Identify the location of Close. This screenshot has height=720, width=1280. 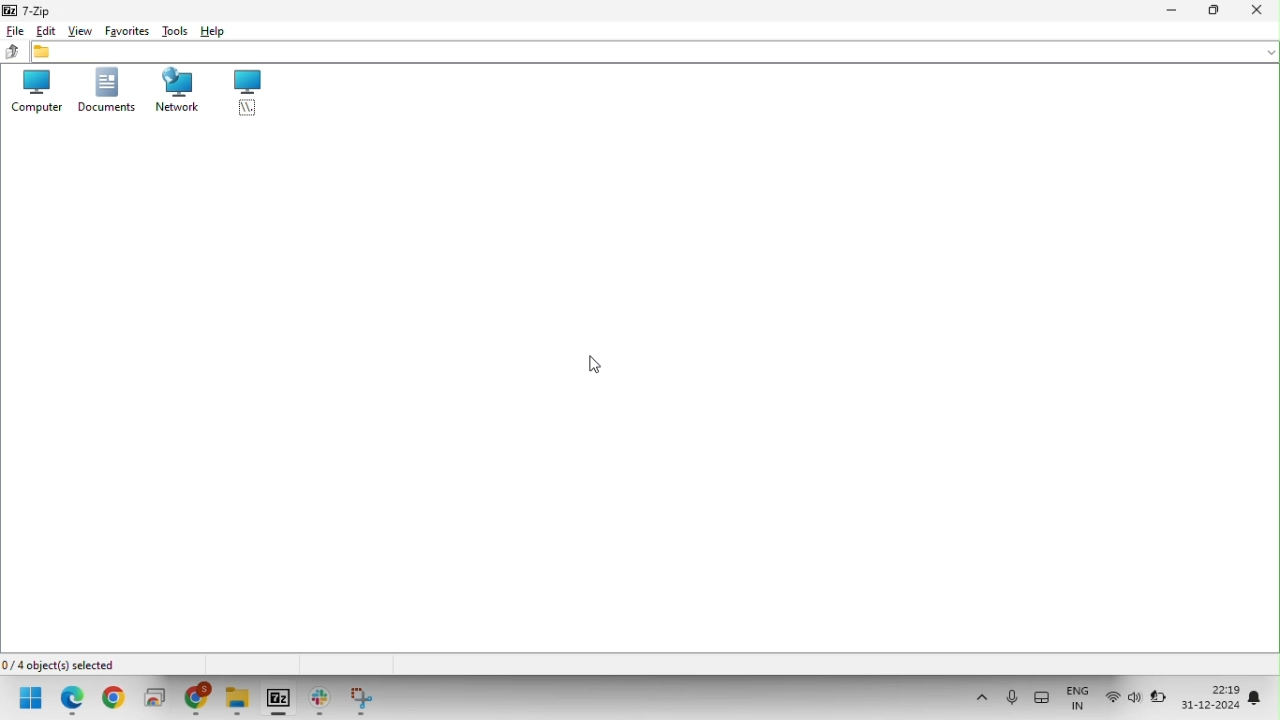
(1262, 11).